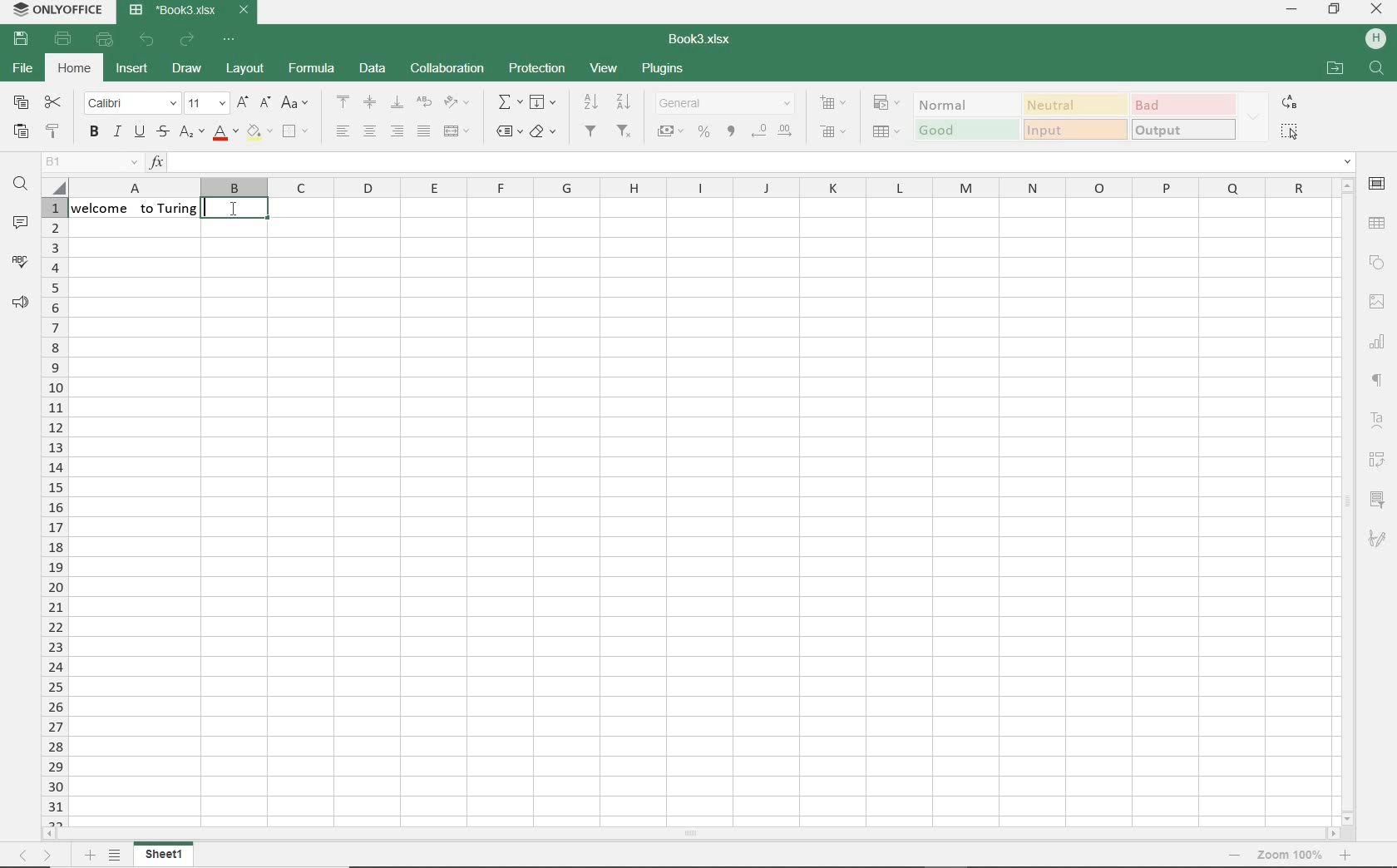  I want to click on insert function, so click(750, 162).